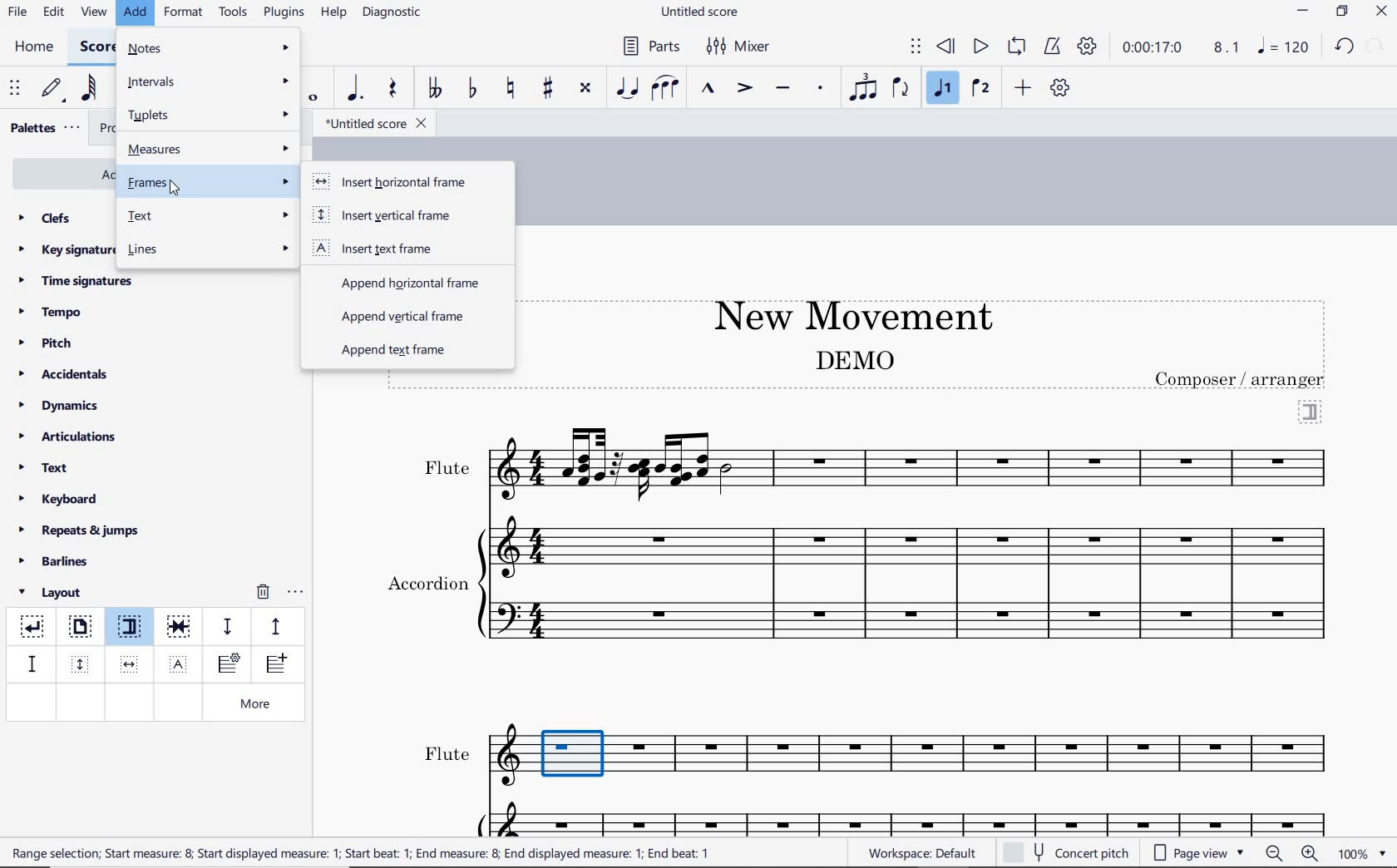  I want to click on Instrument: Flute, so click(914, 462).